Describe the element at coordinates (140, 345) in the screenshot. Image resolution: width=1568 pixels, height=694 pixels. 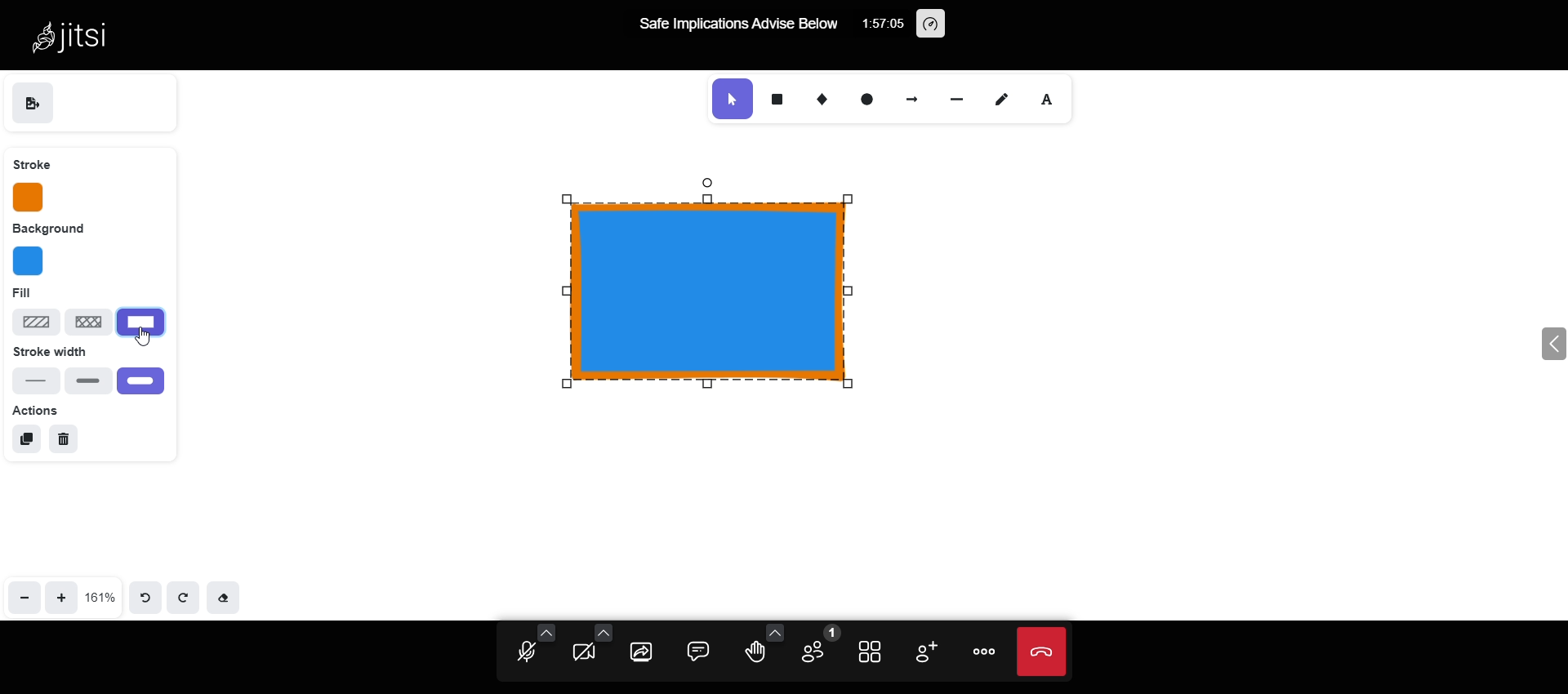
I see `cursor` at that location.